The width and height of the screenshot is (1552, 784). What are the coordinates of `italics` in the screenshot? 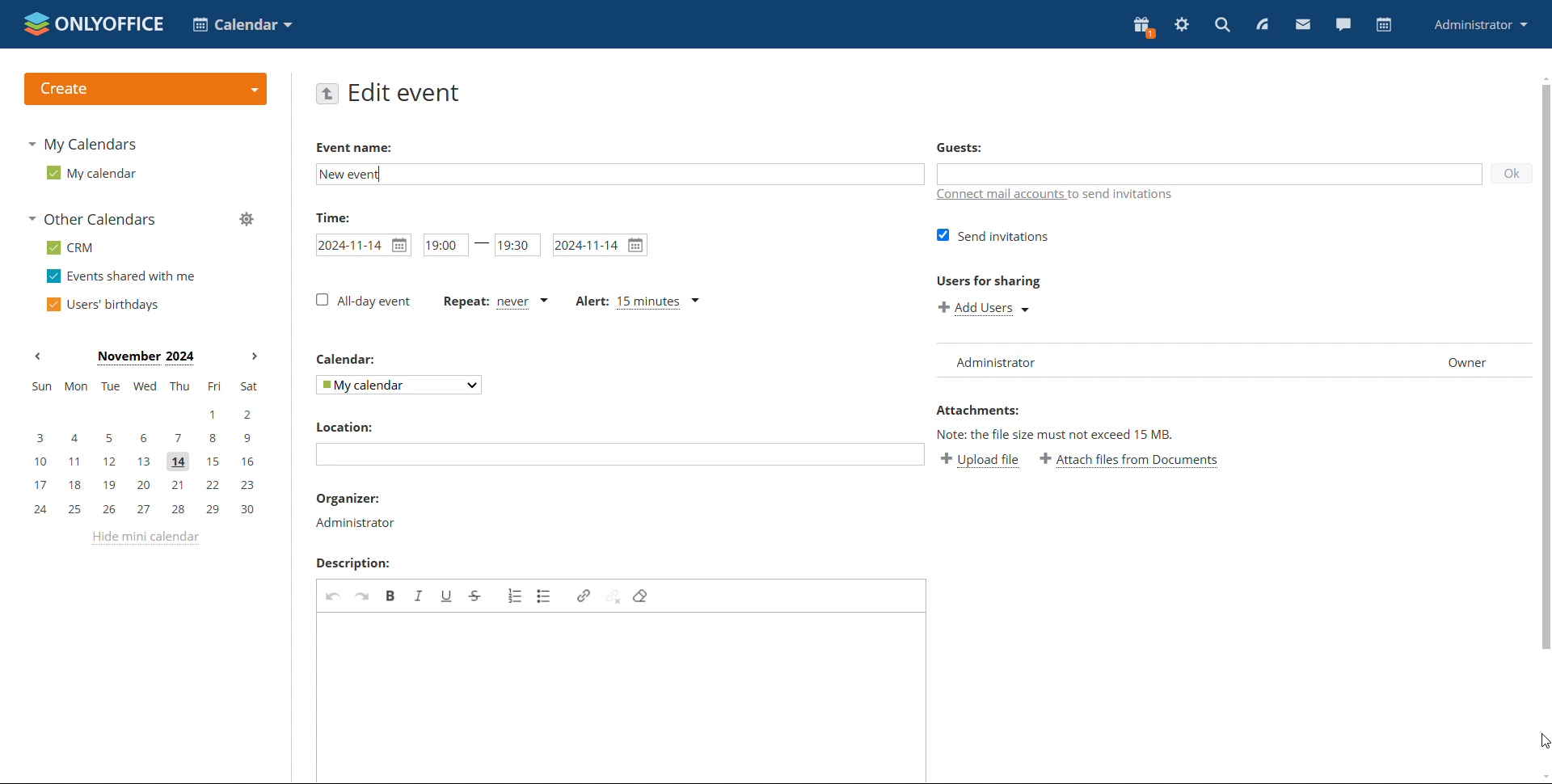 It's located at (419, 596).